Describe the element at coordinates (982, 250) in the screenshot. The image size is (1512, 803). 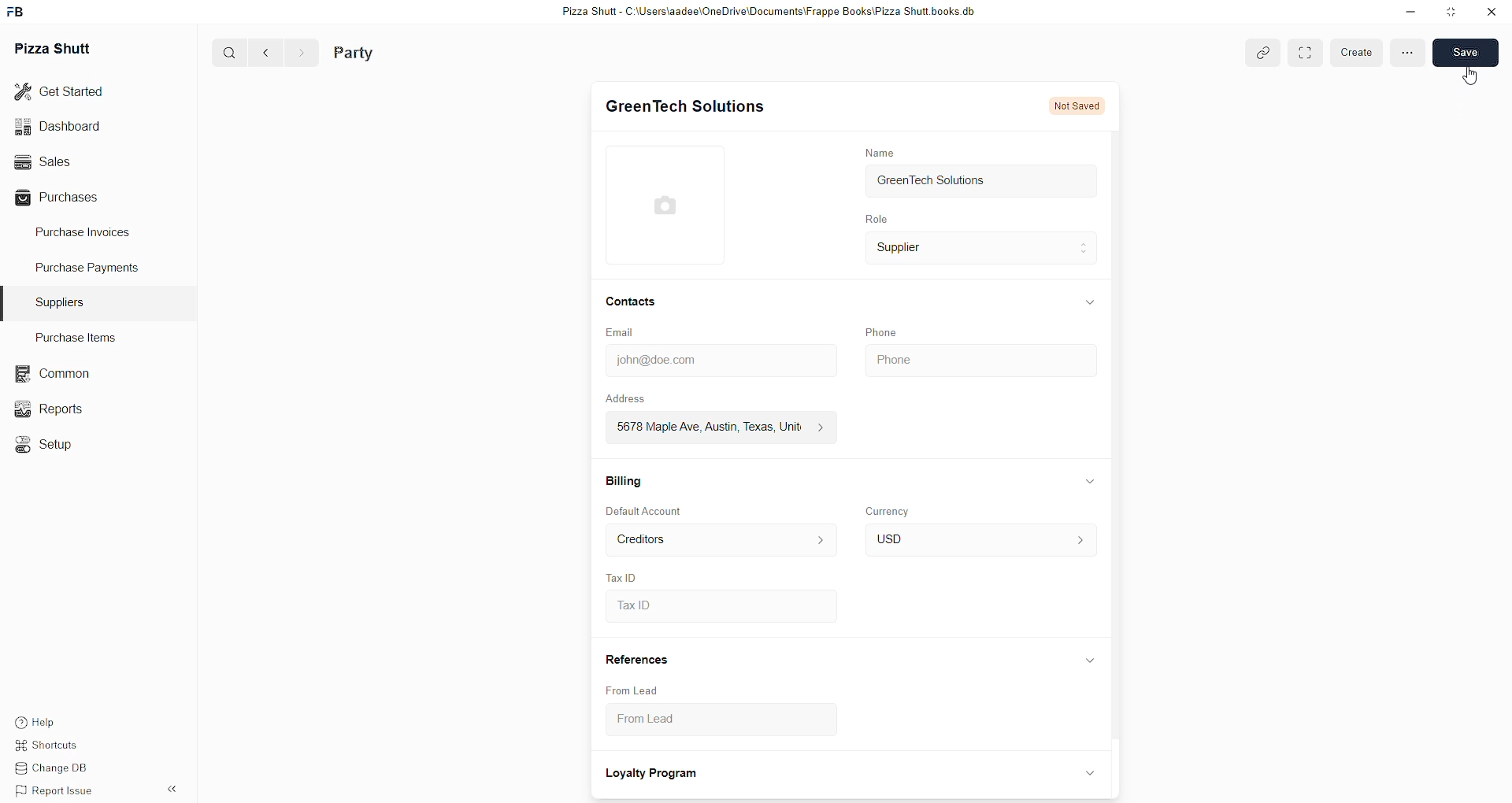
I see `Supplier` at that location.